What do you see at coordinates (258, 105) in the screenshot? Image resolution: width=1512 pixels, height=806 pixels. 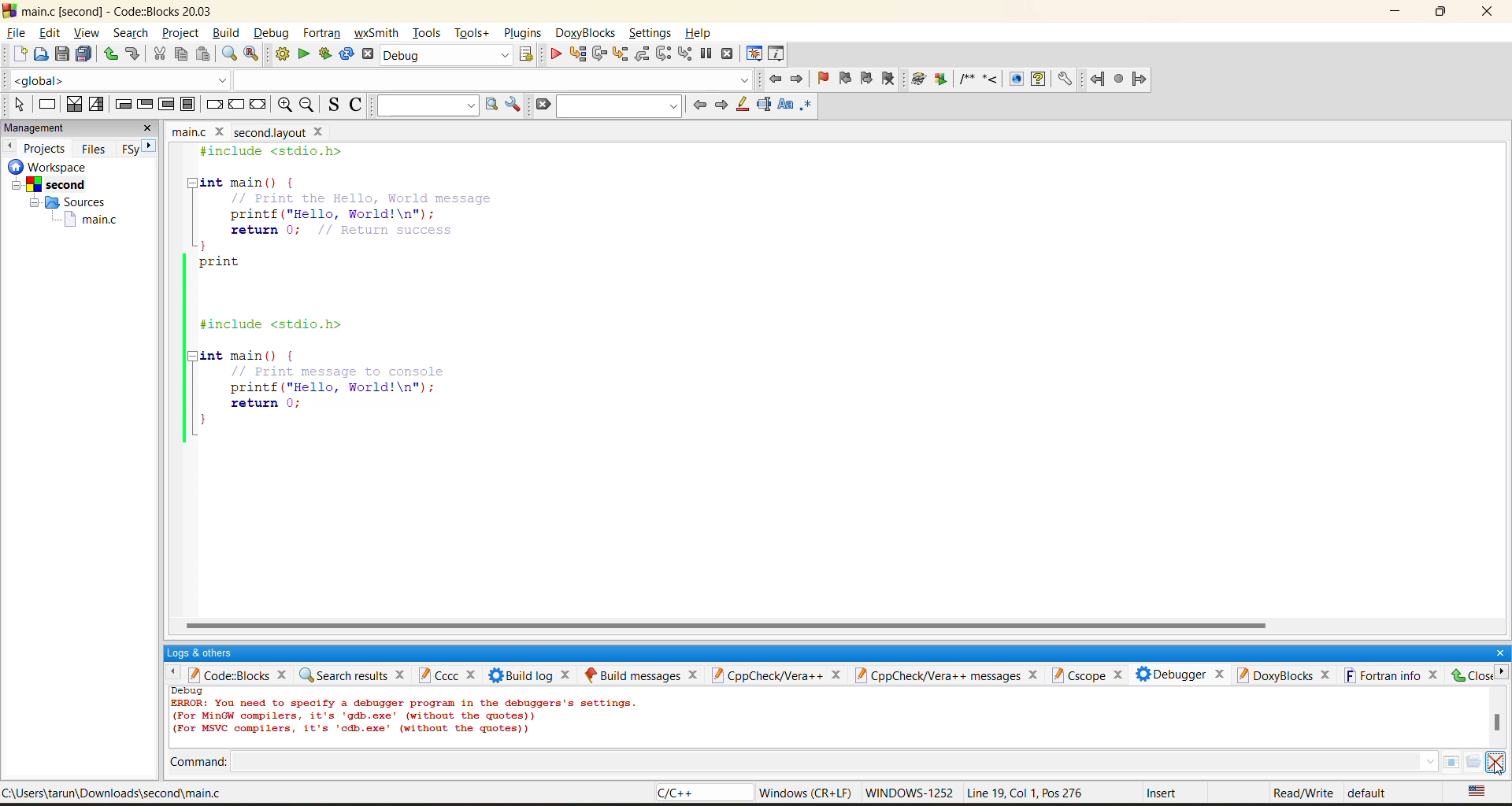 I see `return instruction` at bounding box center [258, 105].